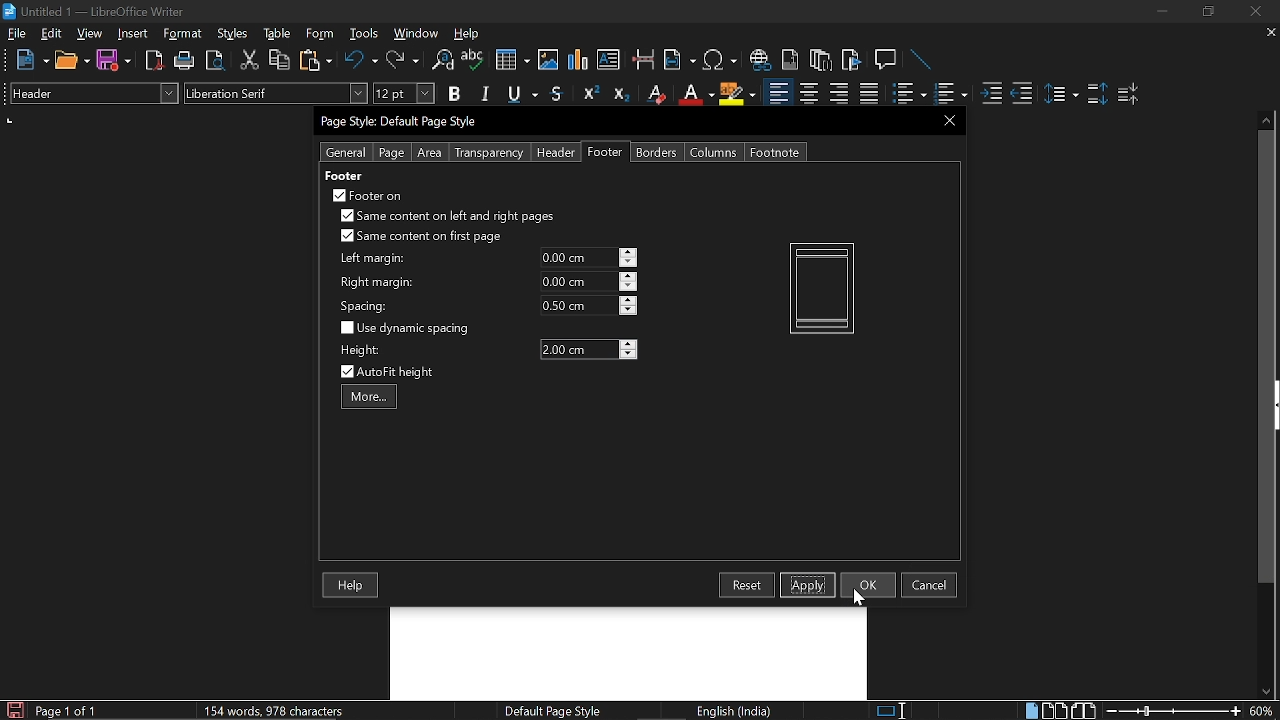 Image resolution: width=1280 pixels, height=720 pixels. What do you see at coordinates (1086, 710) in the screenshot?
I see `Book view` at bounding box center [1086, 710].